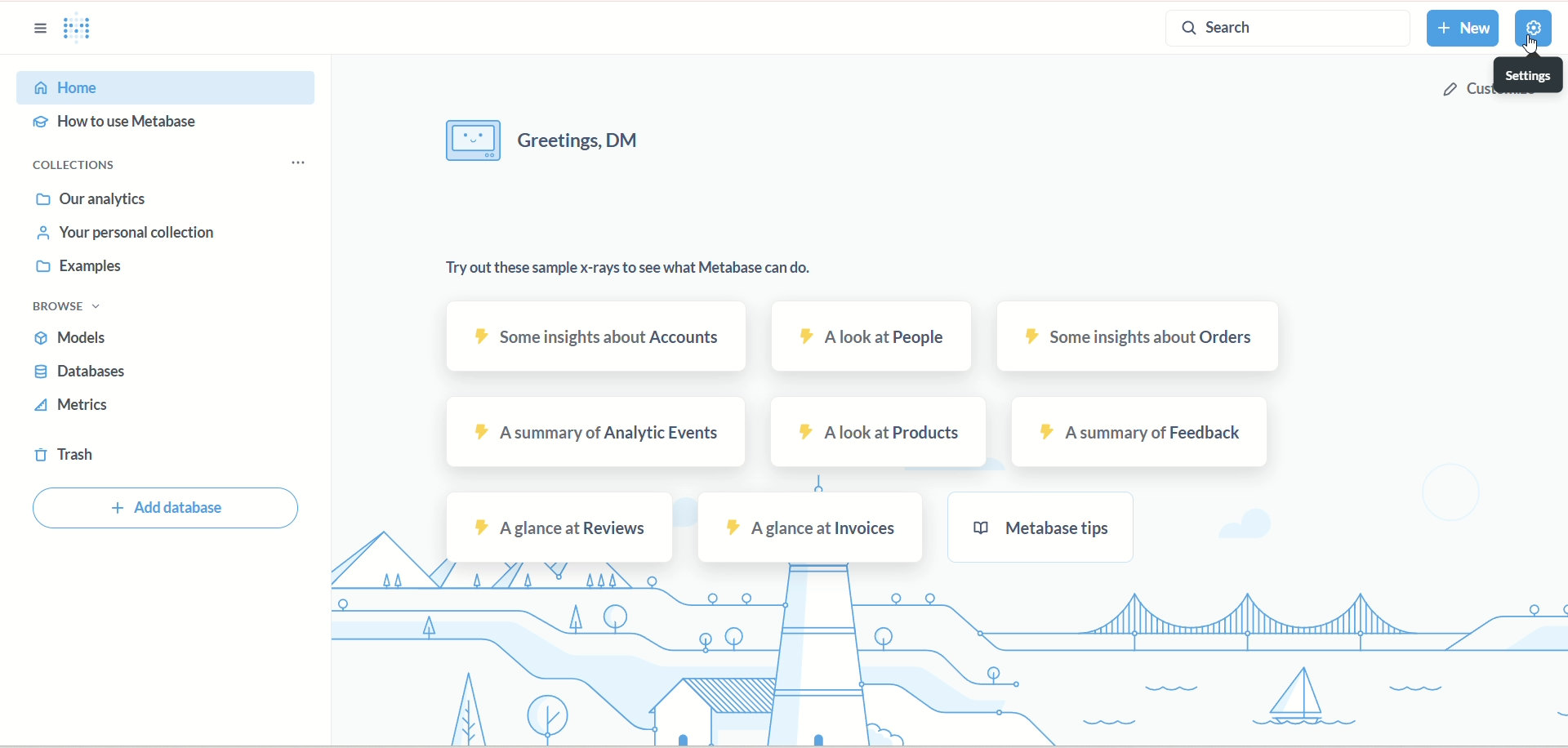 This screenshot has height=748, width=1568. Describe the element at coordinates (1143, 336) in the screenshot. I see `some insights about orders` at that location.